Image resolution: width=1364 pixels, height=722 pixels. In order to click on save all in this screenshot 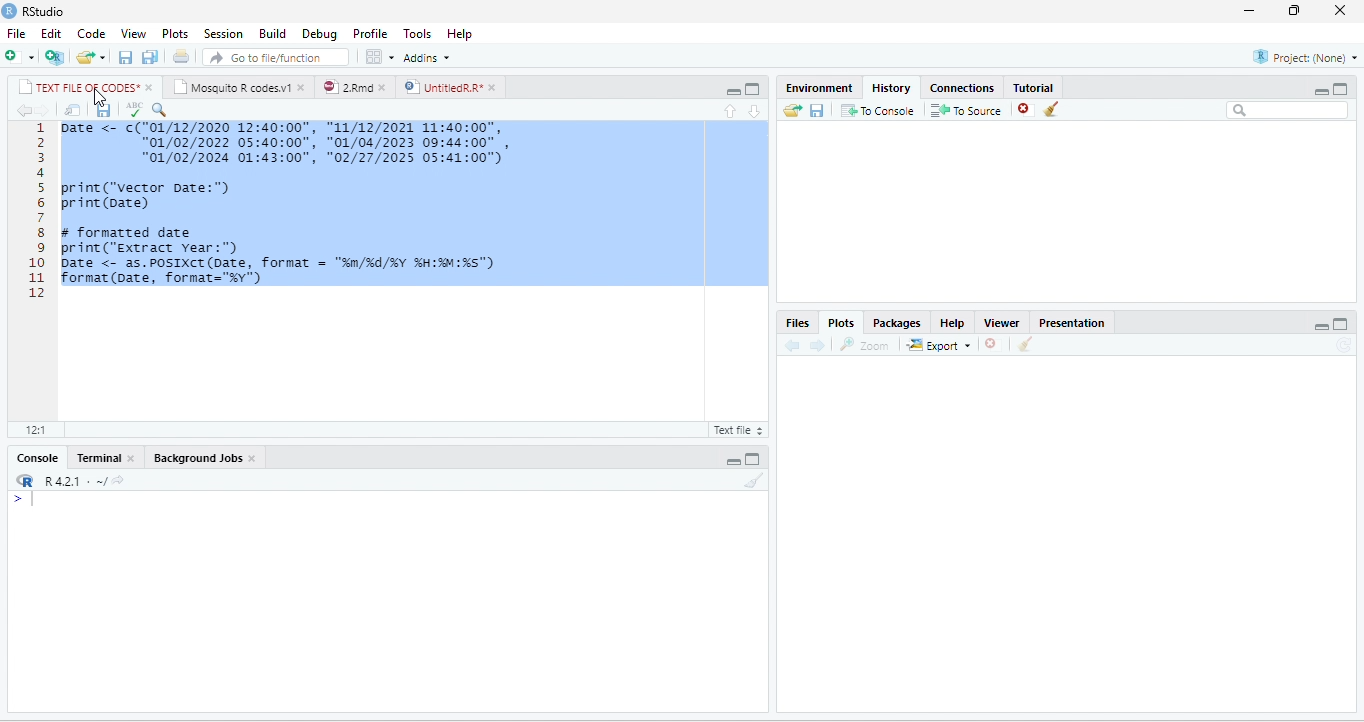, I will do `click(149, 56)`.